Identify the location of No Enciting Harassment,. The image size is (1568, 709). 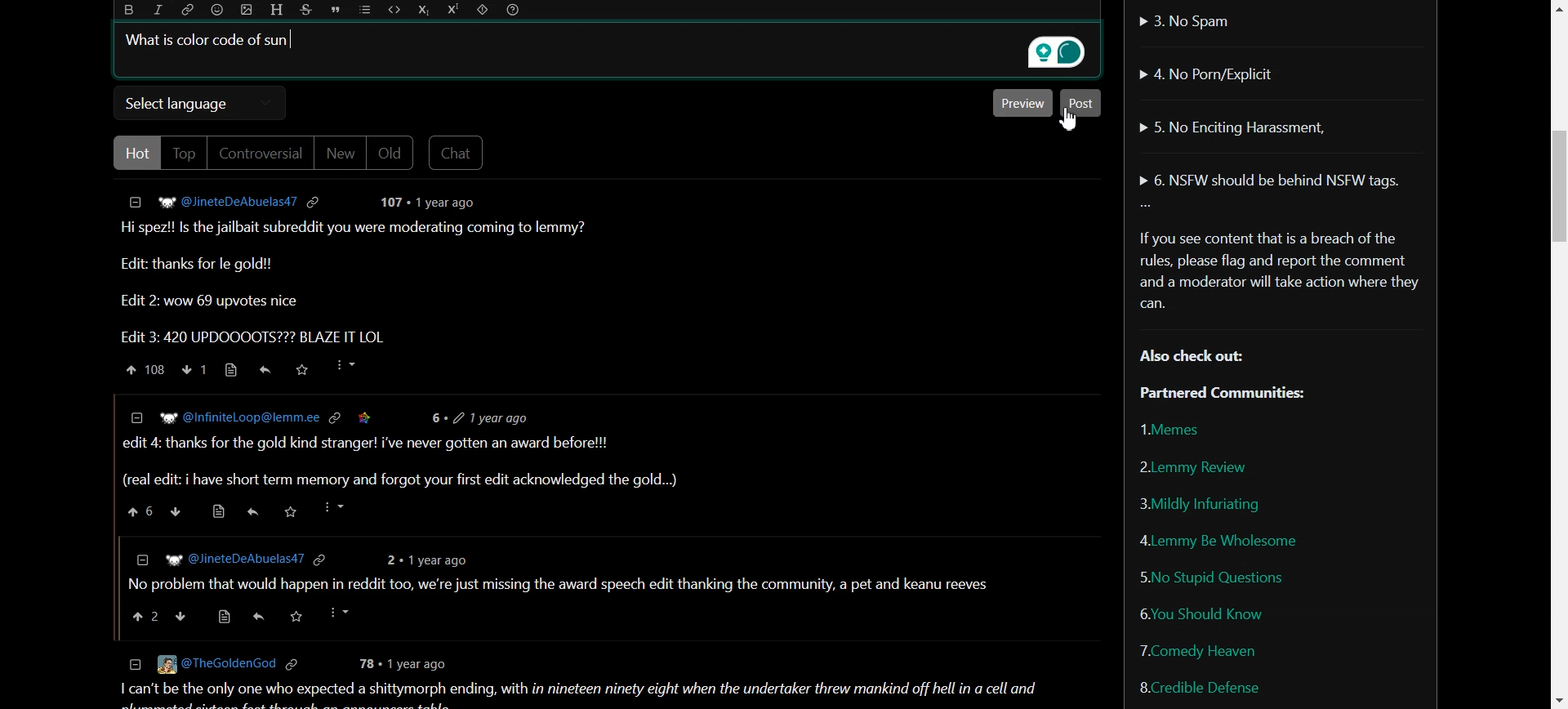
(1235, 127).